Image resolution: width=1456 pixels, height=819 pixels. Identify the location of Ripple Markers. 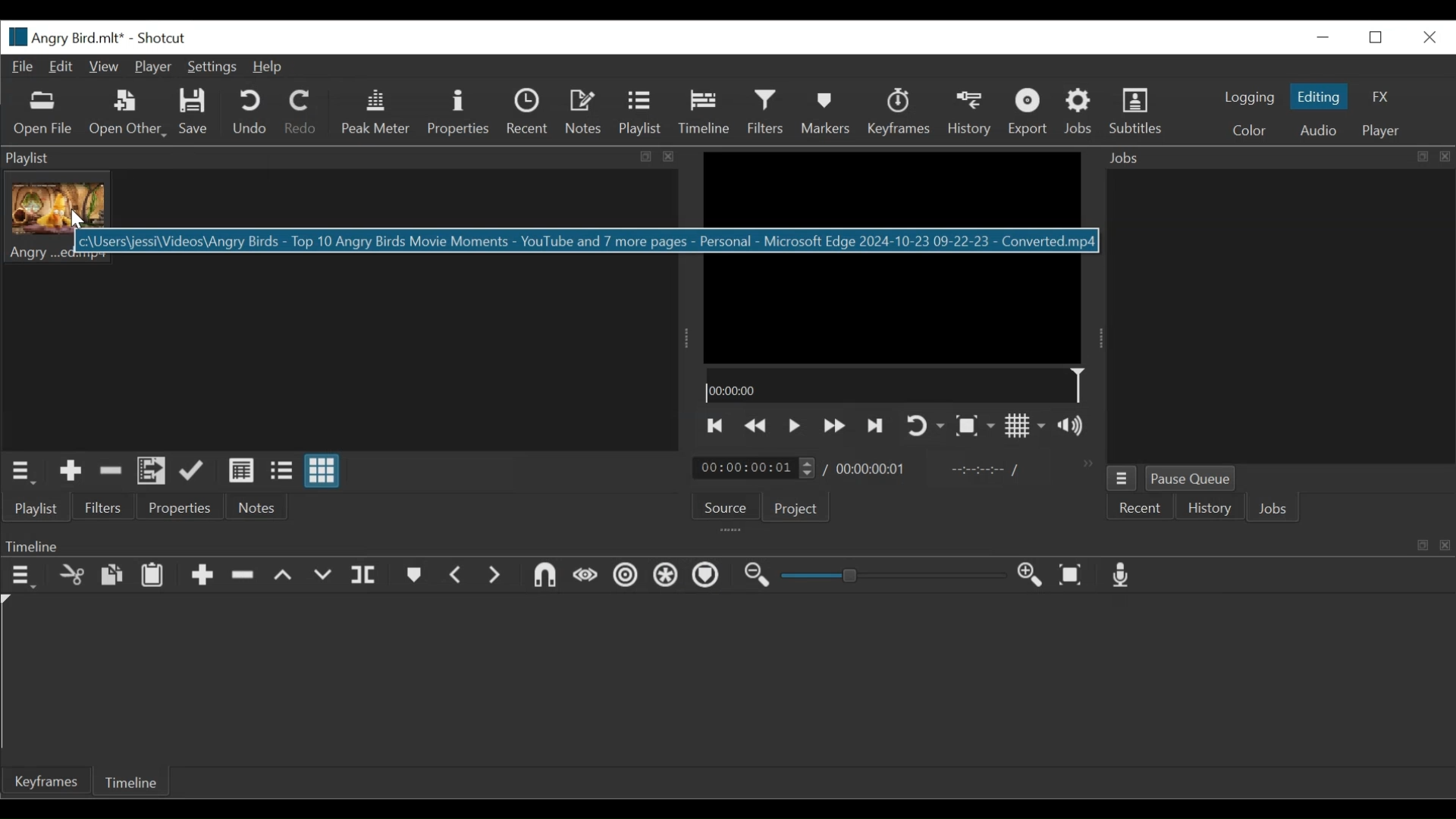
(709, 578).